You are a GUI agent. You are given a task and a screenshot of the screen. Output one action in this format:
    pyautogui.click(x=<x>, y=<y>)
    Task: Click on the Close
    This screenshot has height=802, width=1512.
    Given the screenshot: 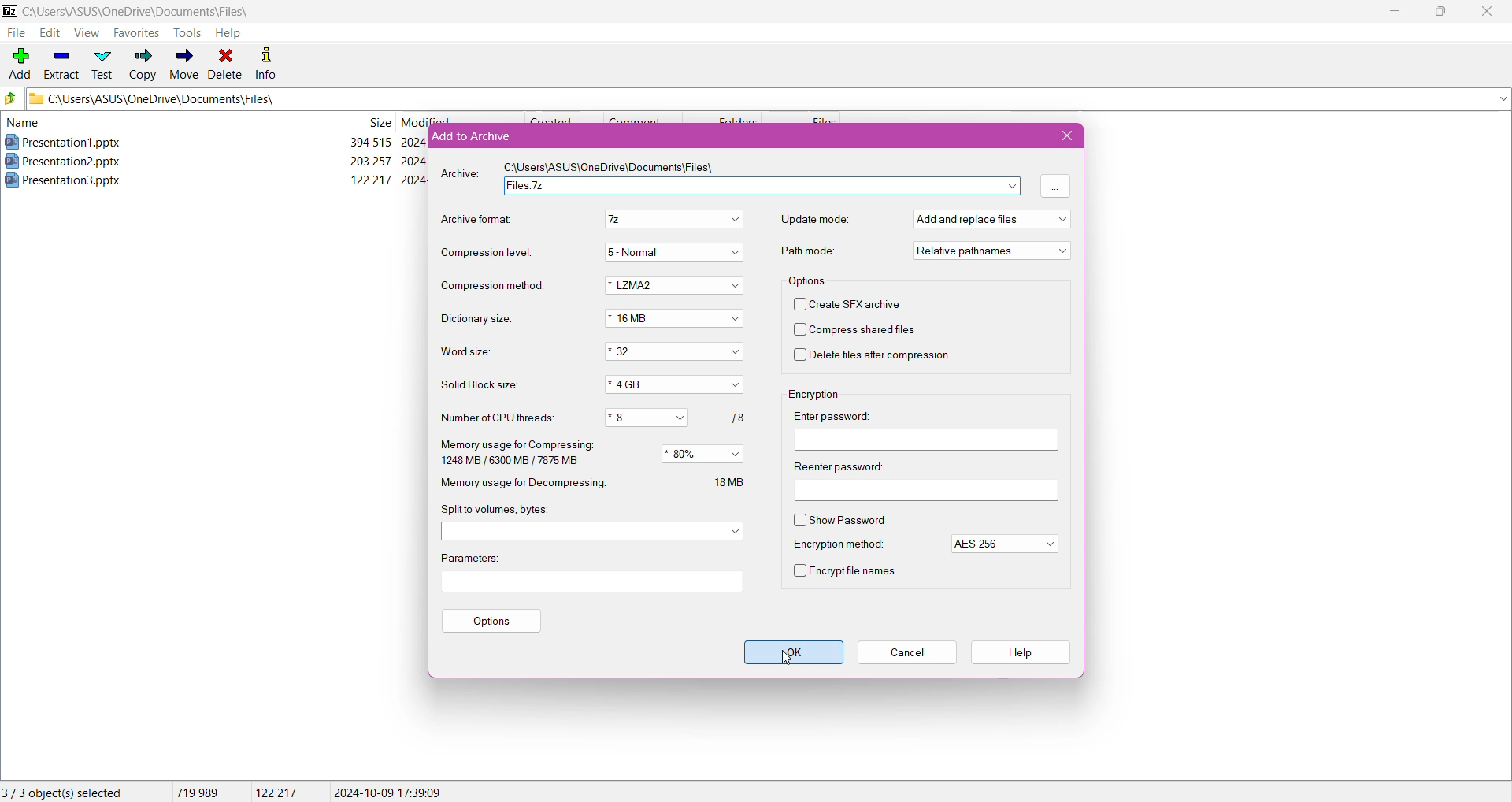 What is the action you would take?
    pyautogui.click(x=1062, y=136)
    